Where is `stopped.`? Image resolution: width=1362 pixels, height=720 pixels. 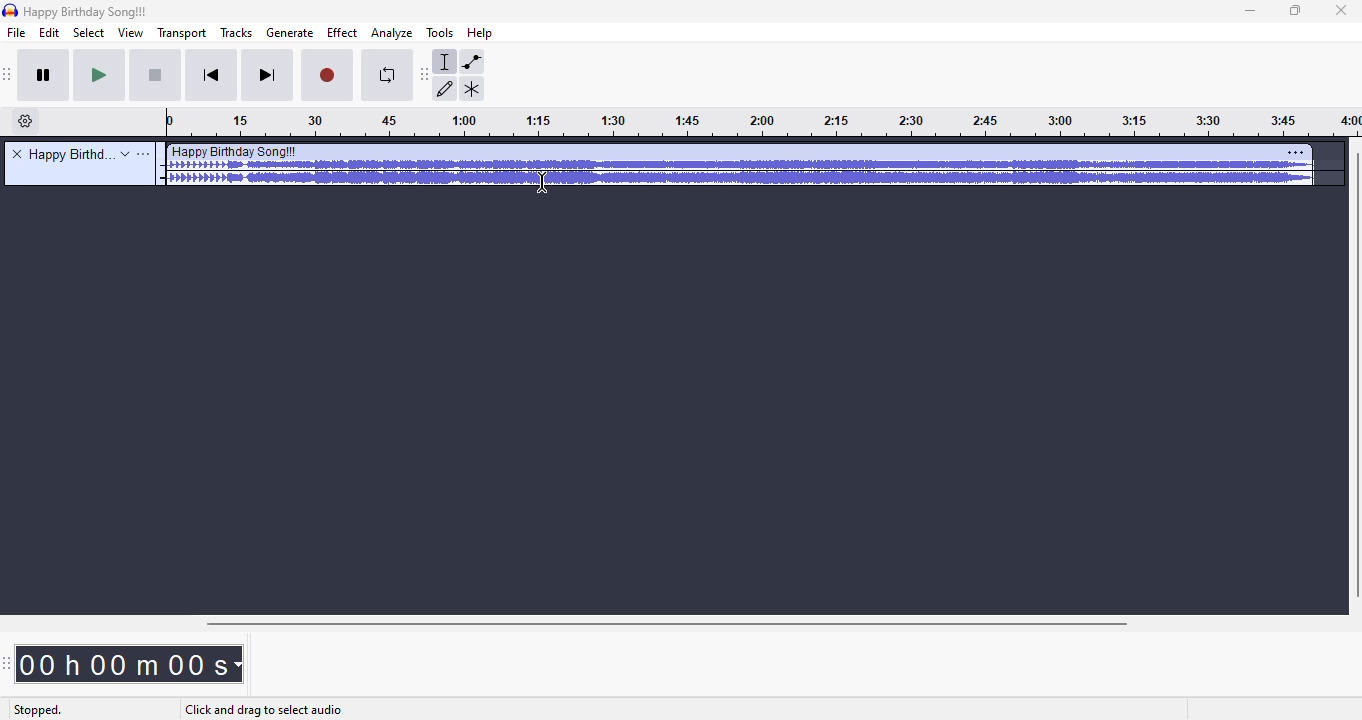
stopped. is located at coordinates (37, 711).